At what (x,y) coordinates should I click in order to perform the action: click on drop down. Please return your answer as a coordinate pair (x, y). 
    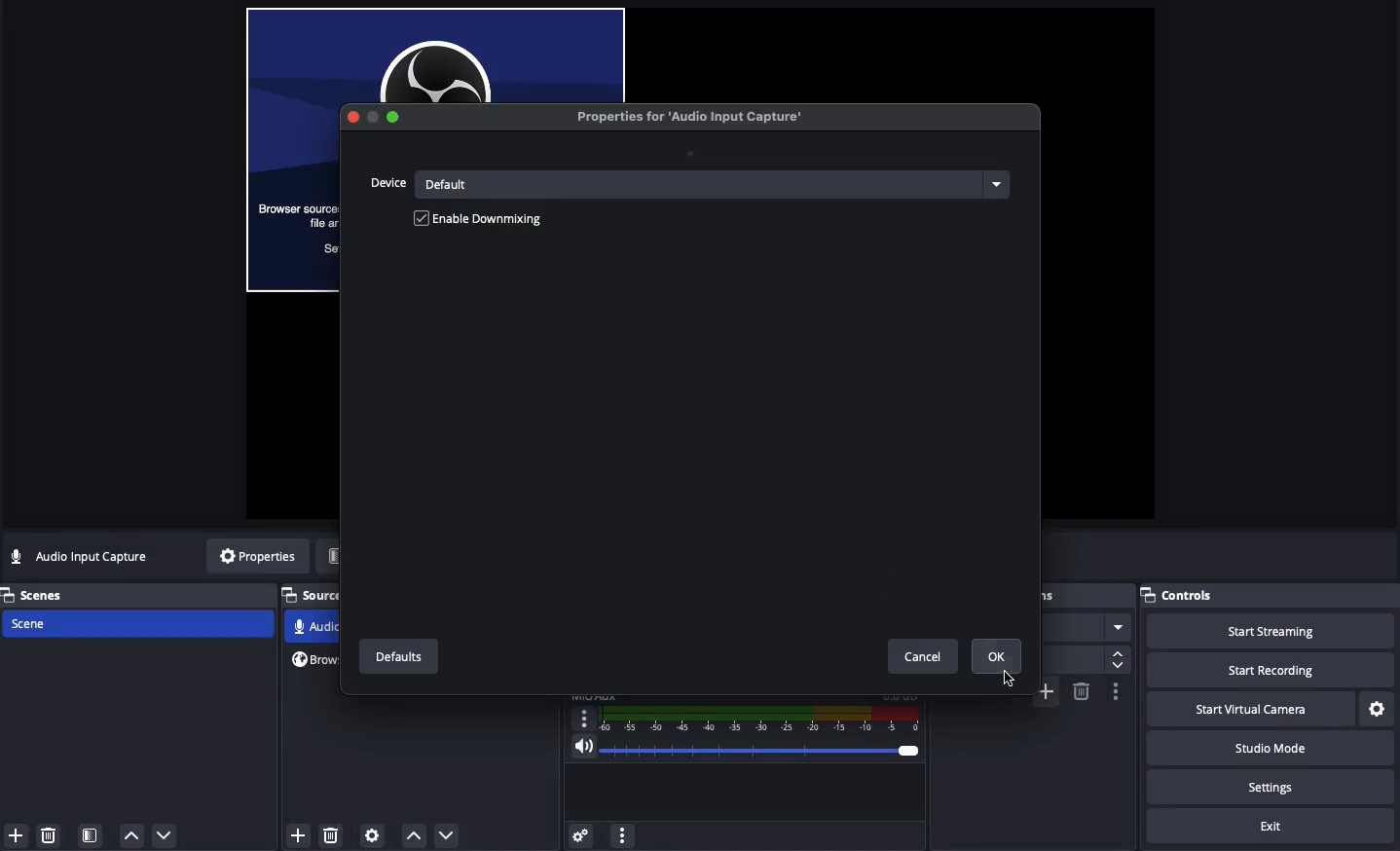
    Looking at the image, I should click on (1119, 660).